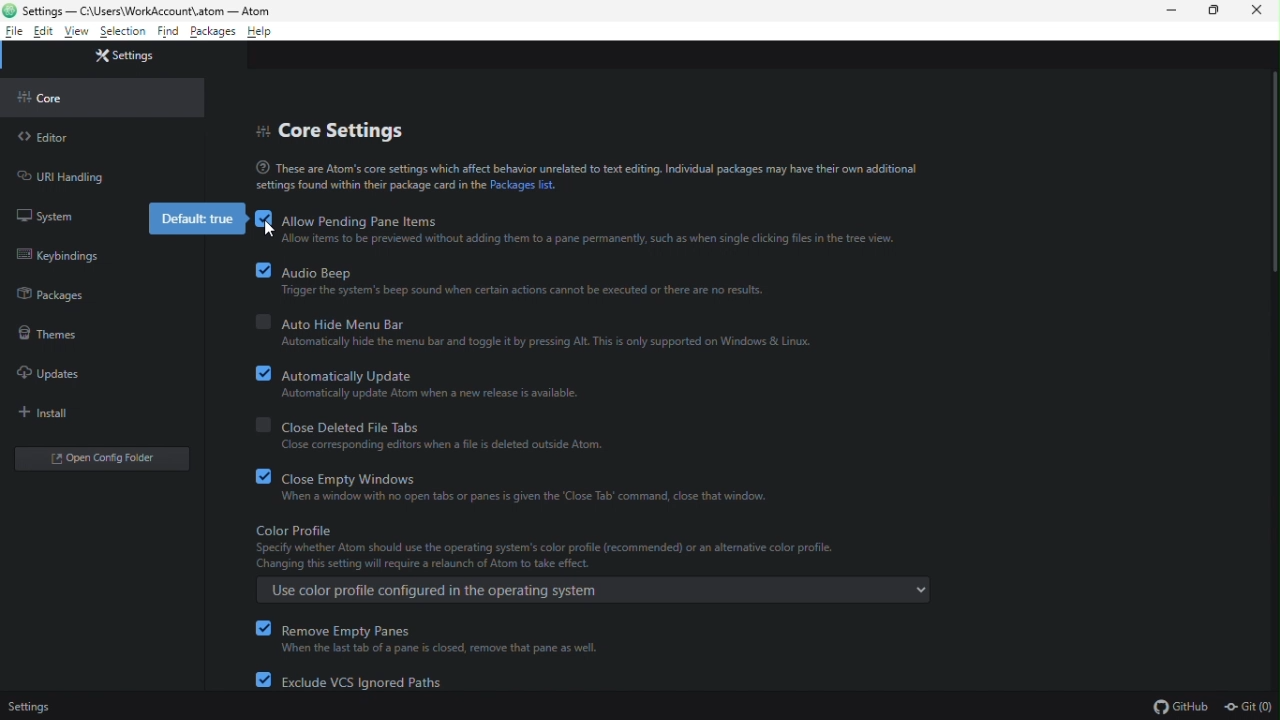  Describe the element at coordinates (272, 231) in the screenshot. I see `cursor` at that location.